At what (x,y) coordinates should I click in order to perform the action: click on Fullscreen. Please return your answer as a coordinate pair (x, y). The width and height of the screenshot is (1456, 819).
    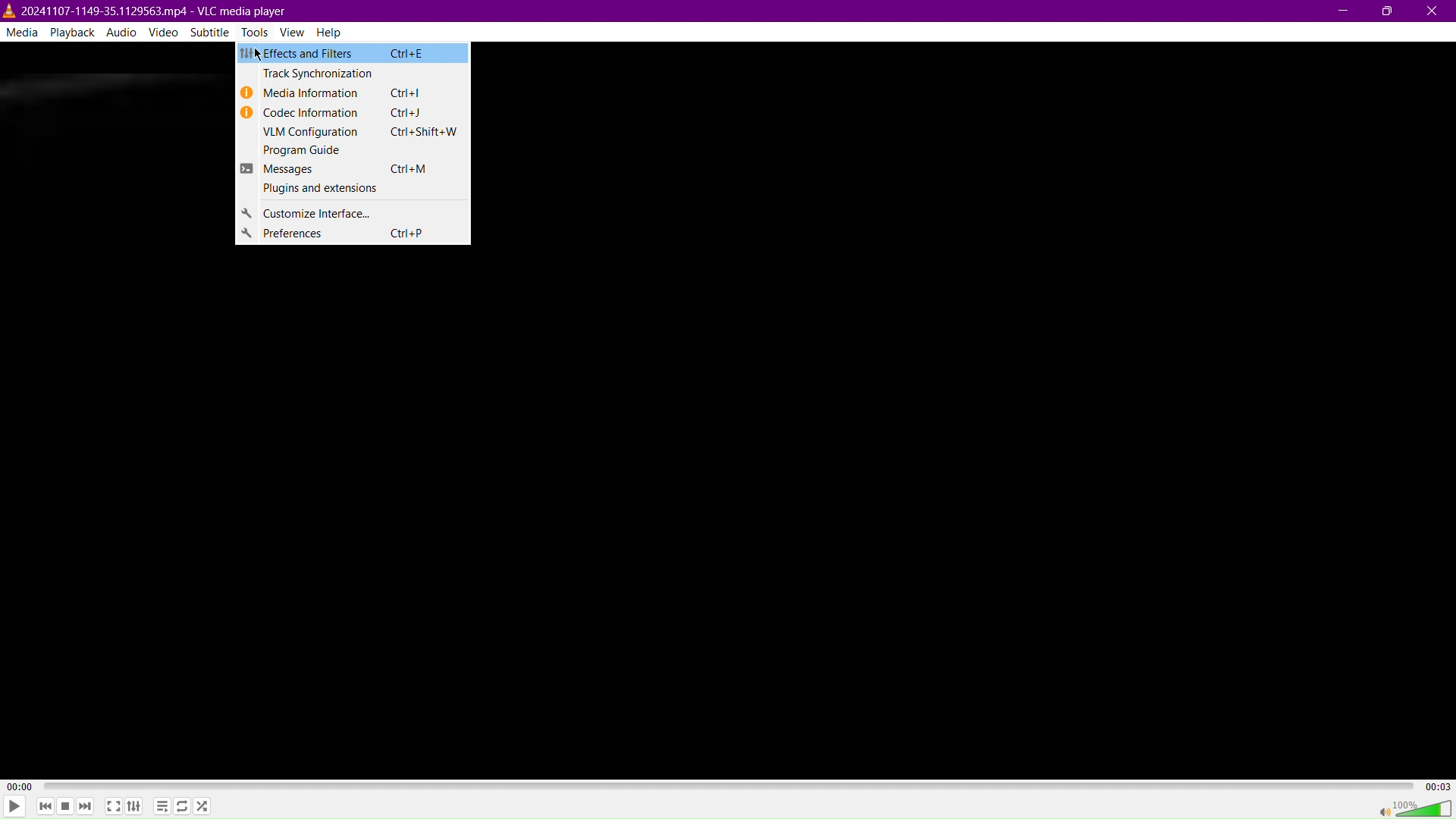
    Looking at the image, I should click on (113, 806).